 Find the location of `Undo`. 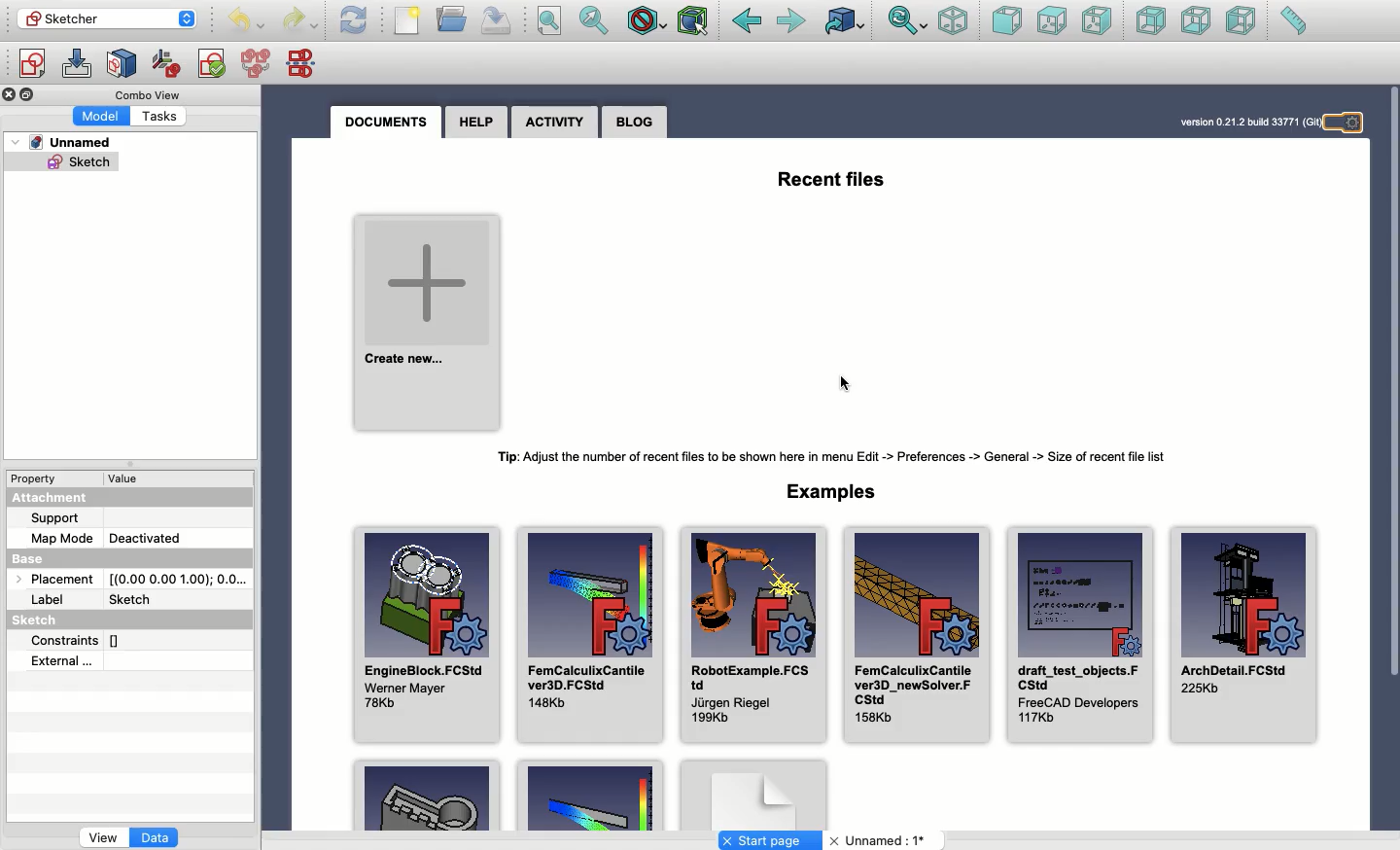

Undo is located at coordinates (301, 20).